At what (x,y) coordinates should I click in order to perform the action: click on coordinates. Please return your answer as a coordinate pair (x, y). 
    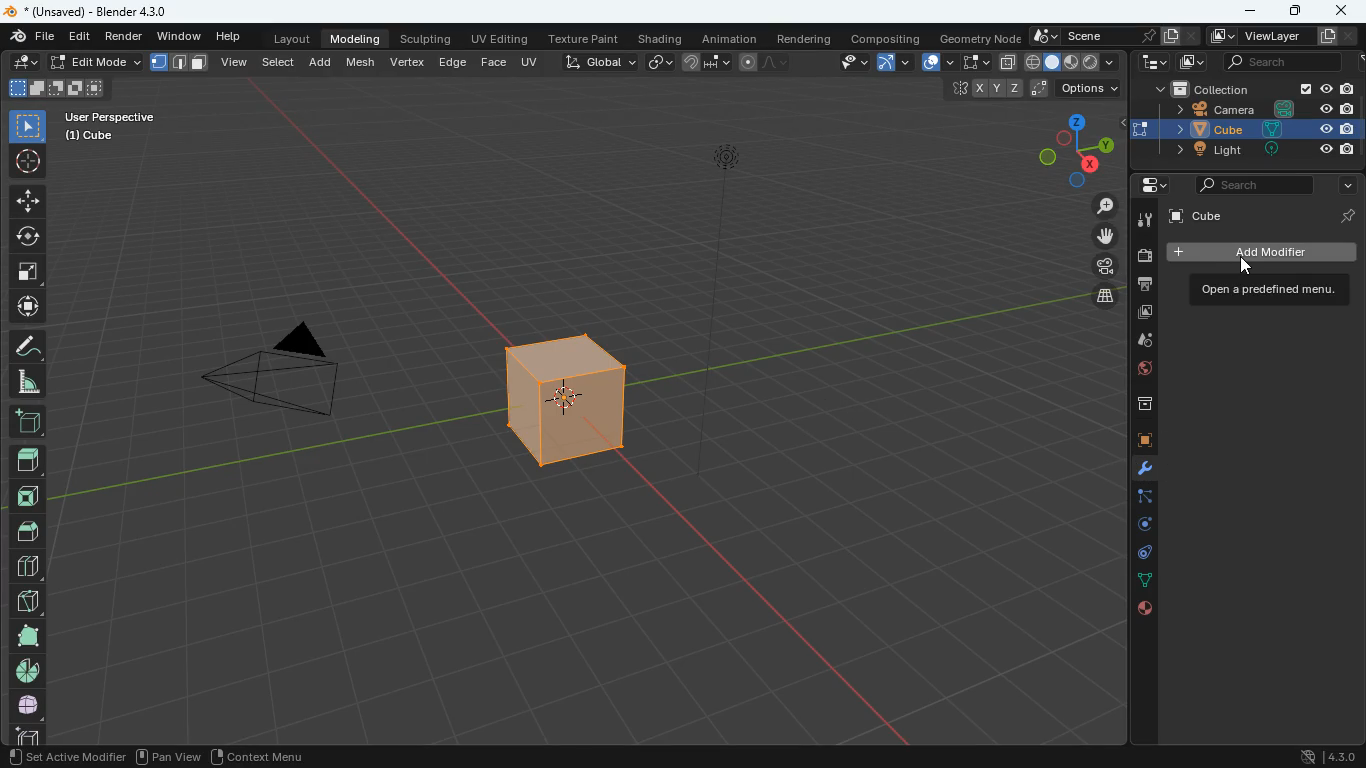
    Looking at the image, I should click on (1030, 90).